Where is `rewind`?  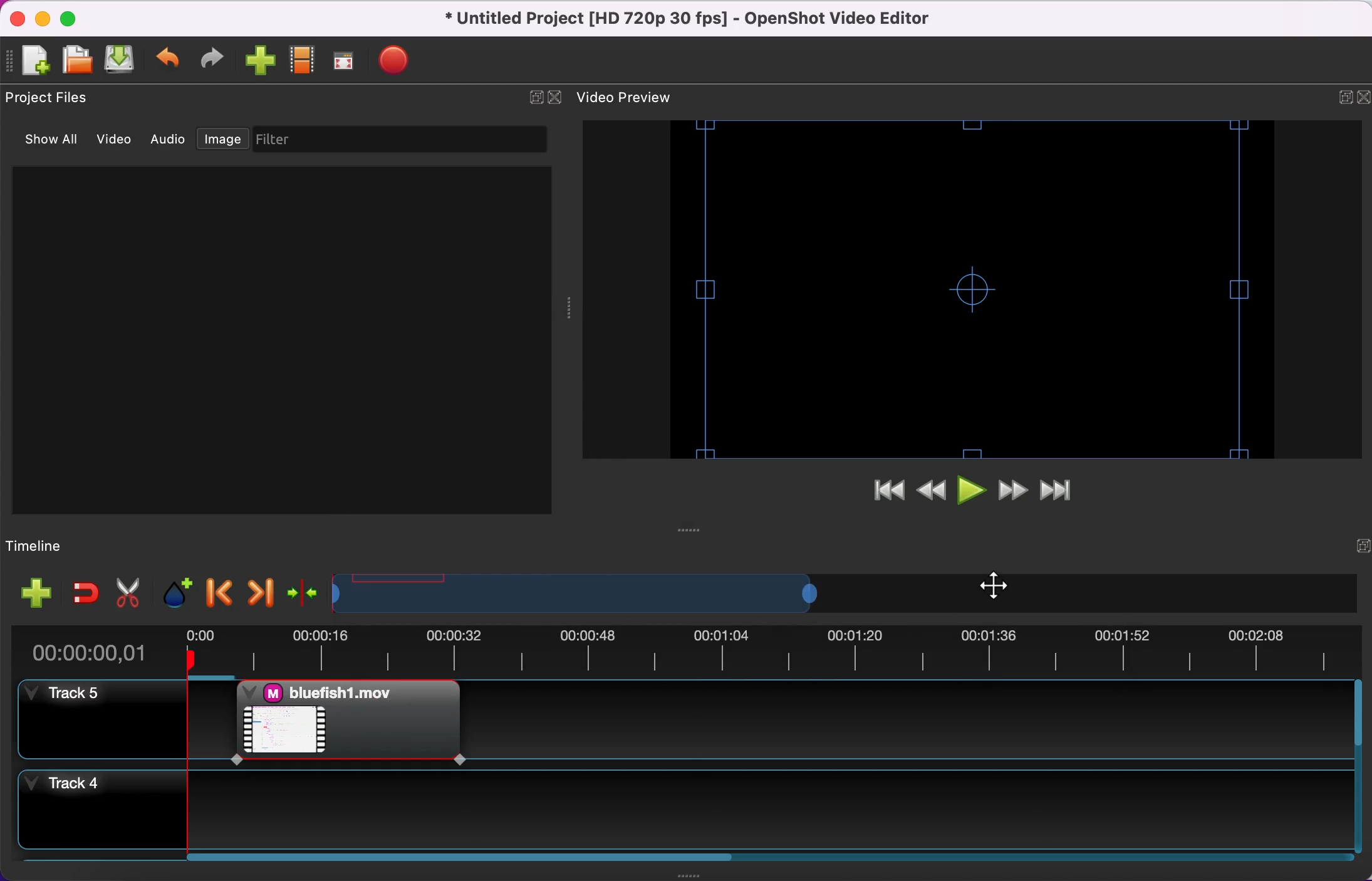 rewind is located at coordinates (928, 495).